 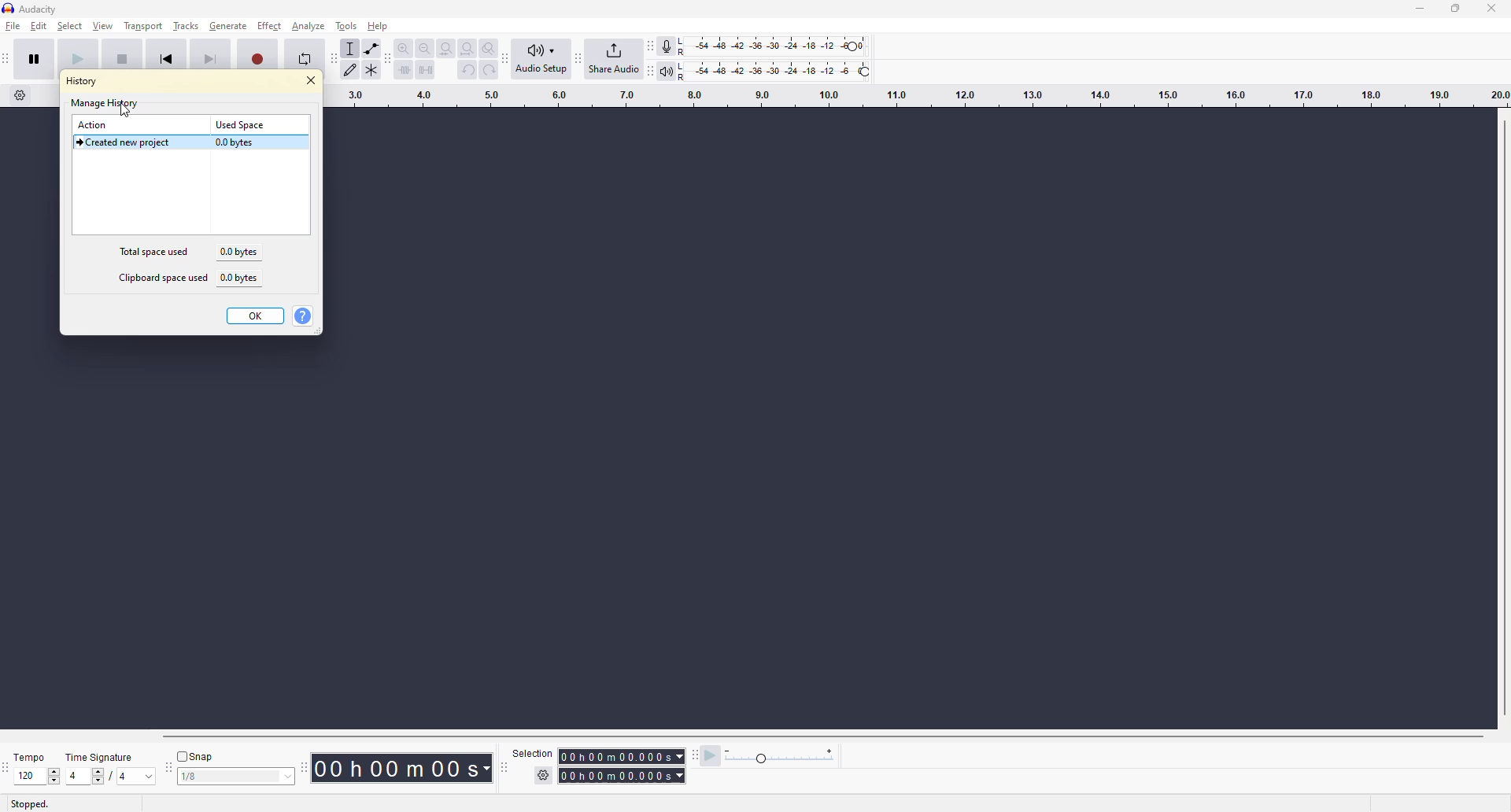 What do you see at coordinates (346, 27) in the screenshot?
I see `tools` at bounding box center [346, 27].